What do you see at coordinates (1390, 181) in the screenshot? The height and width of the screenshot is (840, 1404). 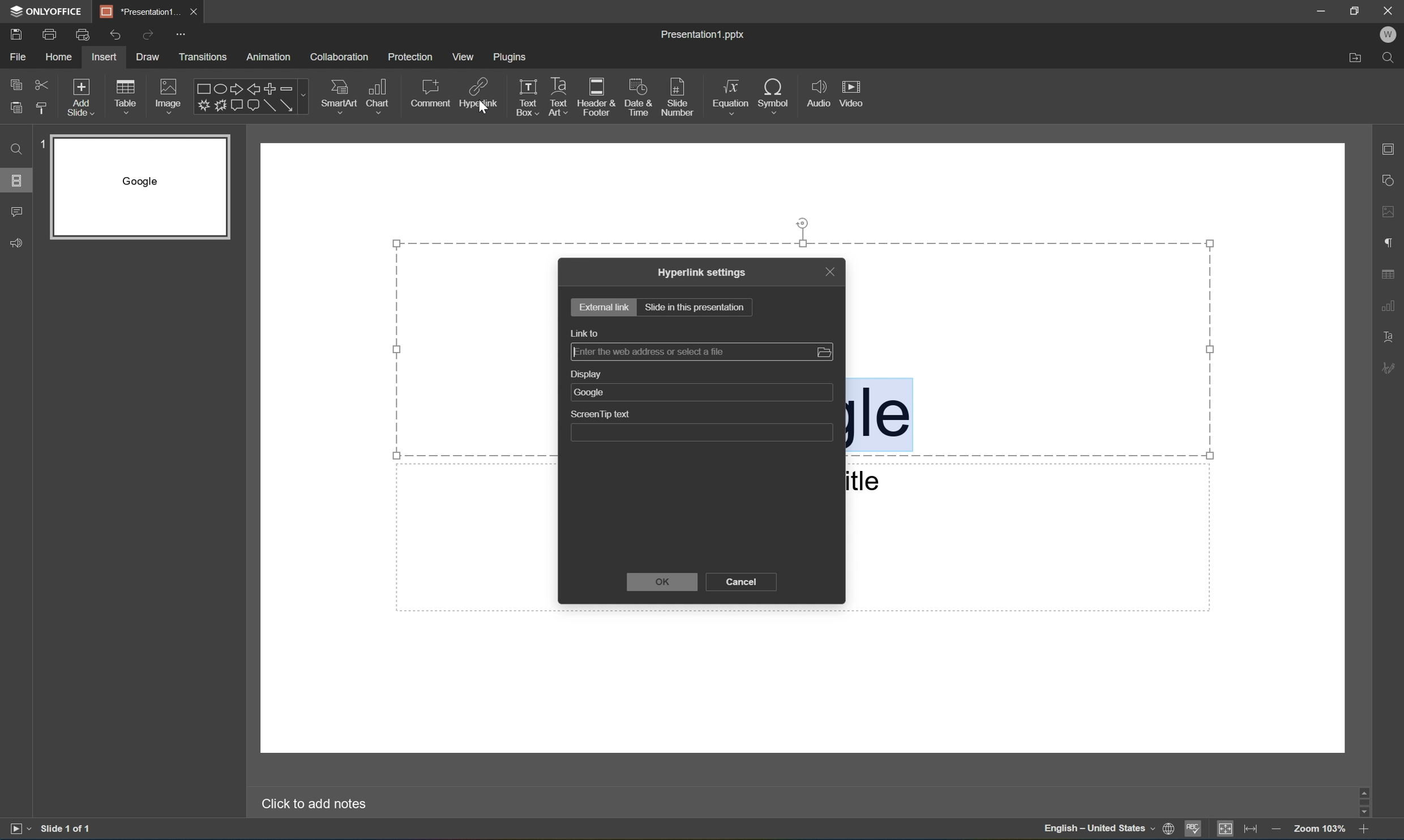 I see `Shape settings` at bounding box center [1390, 181].